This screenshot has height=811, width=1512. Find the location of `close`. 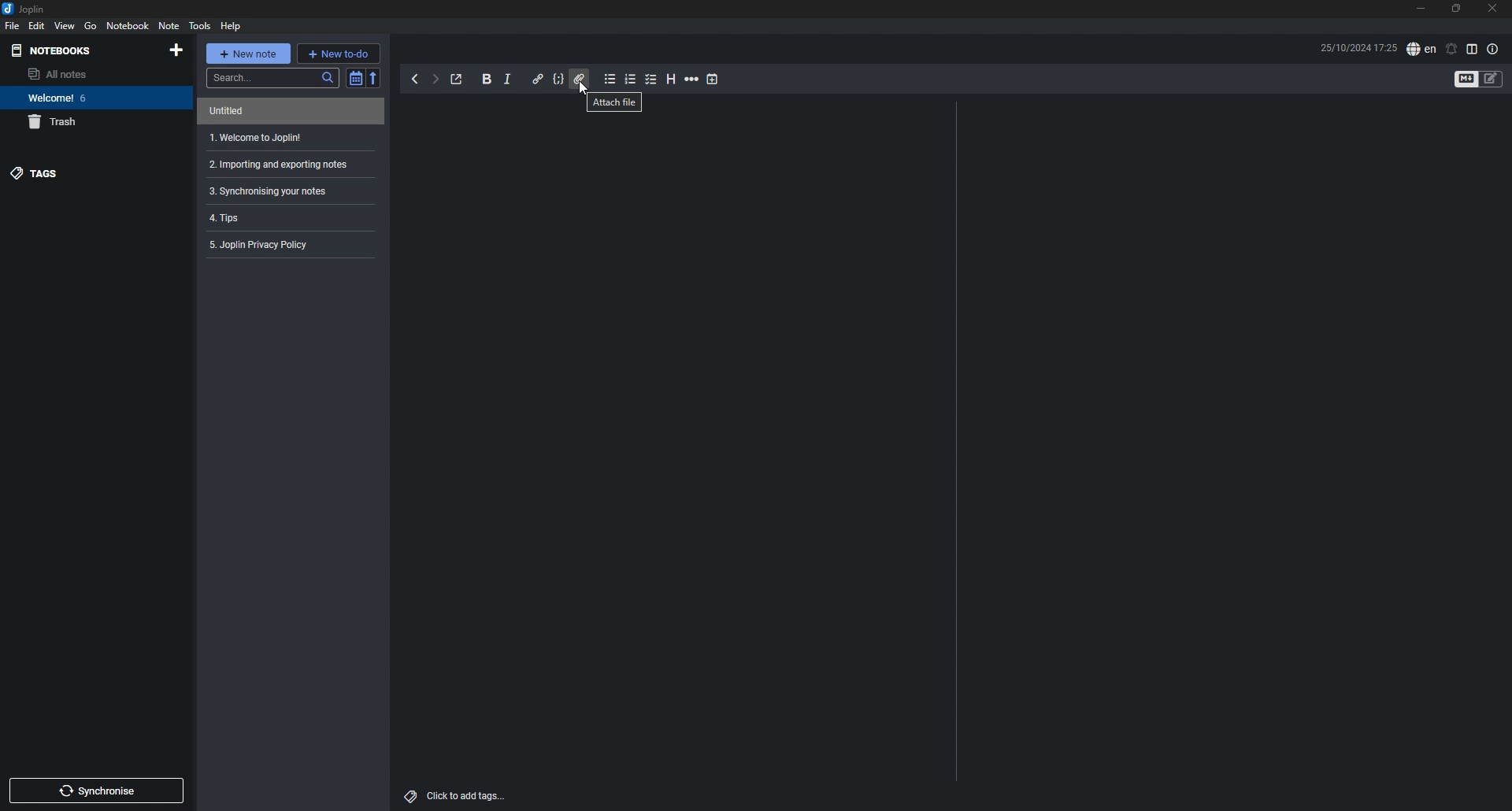

close is located at coordinates (1493, 8).